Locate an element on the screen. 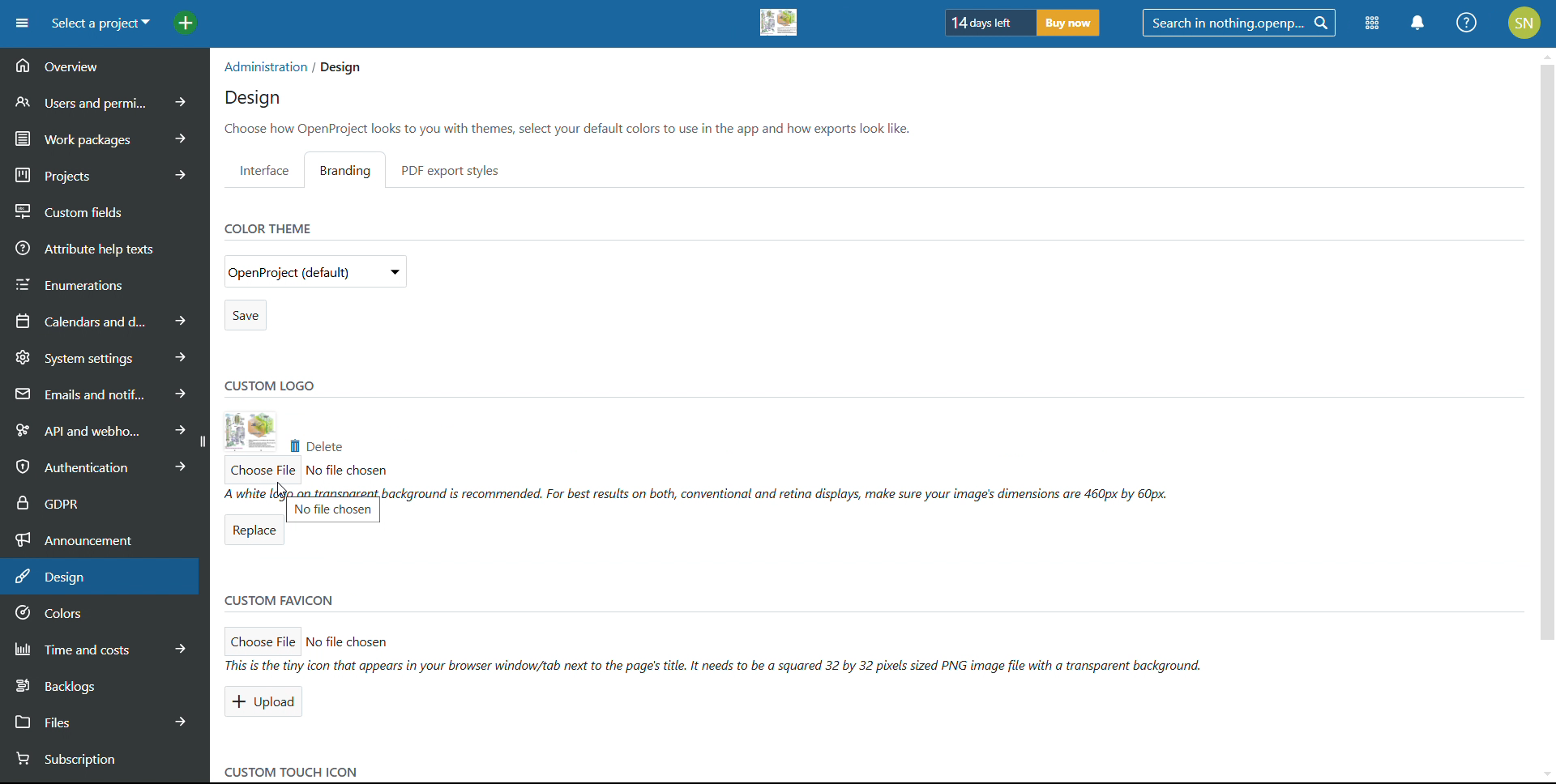 The image size is (1556, 784). save is located at coordinates (245, 315).